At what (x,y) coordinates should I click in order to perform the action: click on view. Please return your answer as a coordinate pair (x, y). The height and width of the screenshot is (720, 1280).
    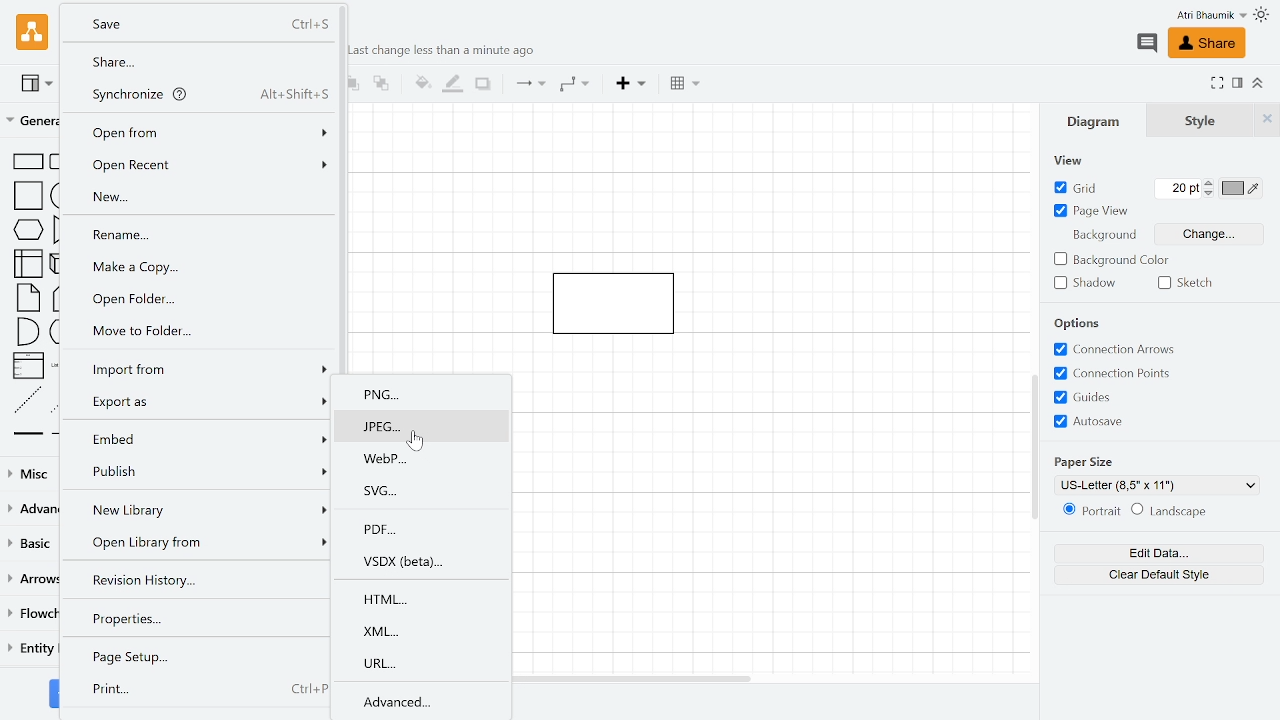
    Looking at the image, I should click on (1067, 160).